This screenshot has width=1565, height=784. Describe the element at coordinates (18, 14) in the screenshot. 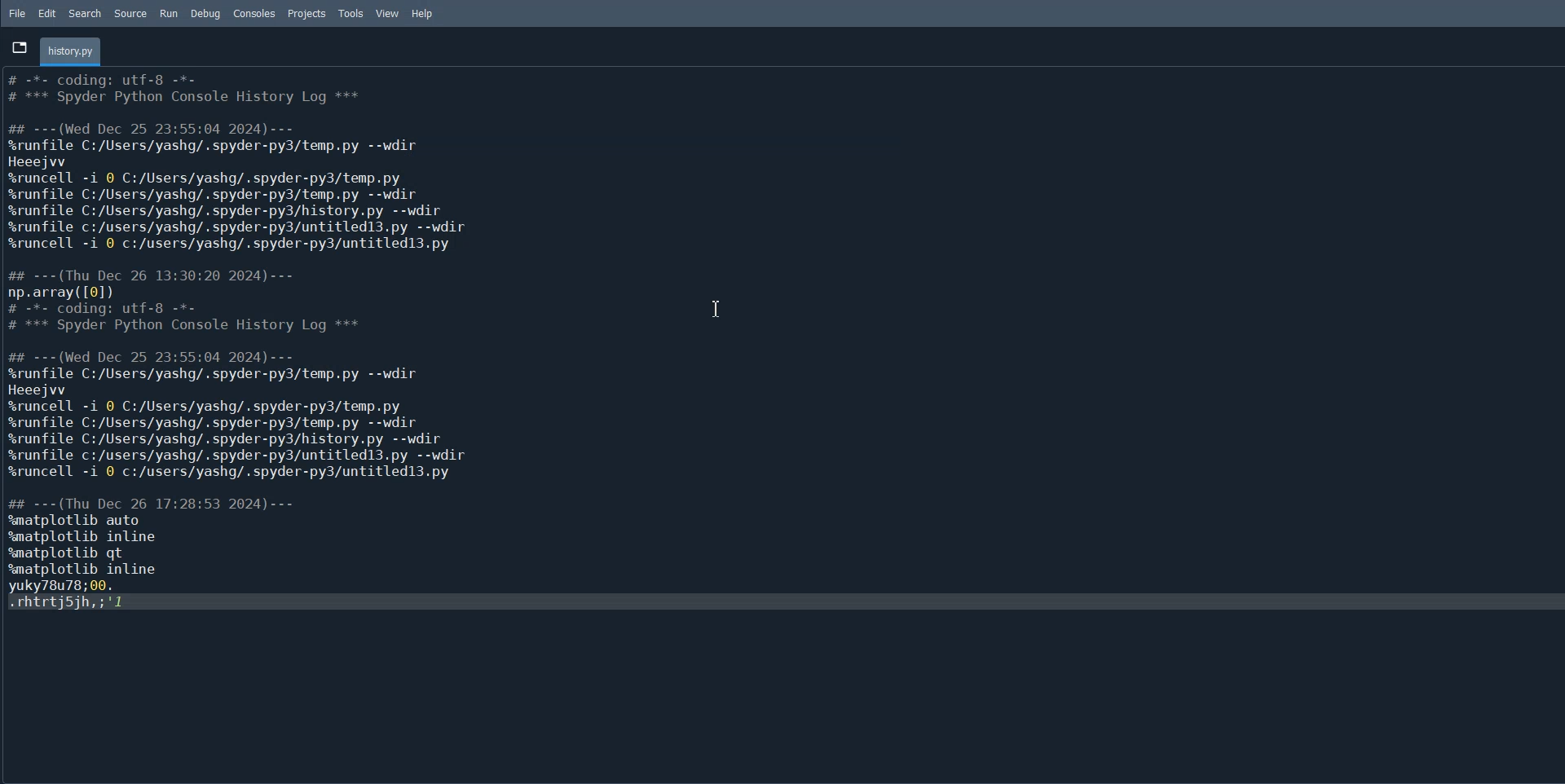

I see `File` at that location.